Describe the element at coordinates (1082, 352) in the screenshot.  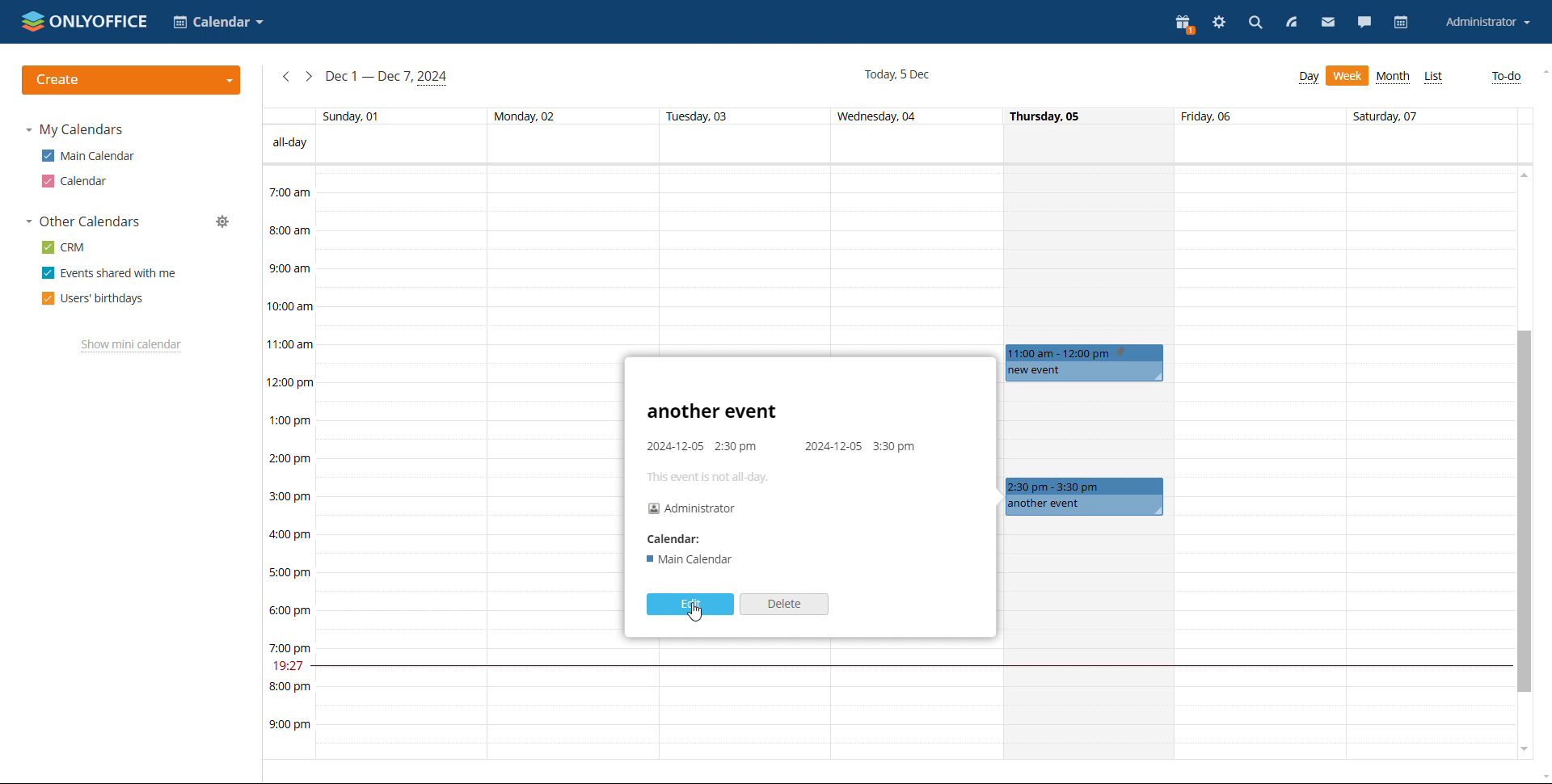
I see `11am to 12pm` at that location.